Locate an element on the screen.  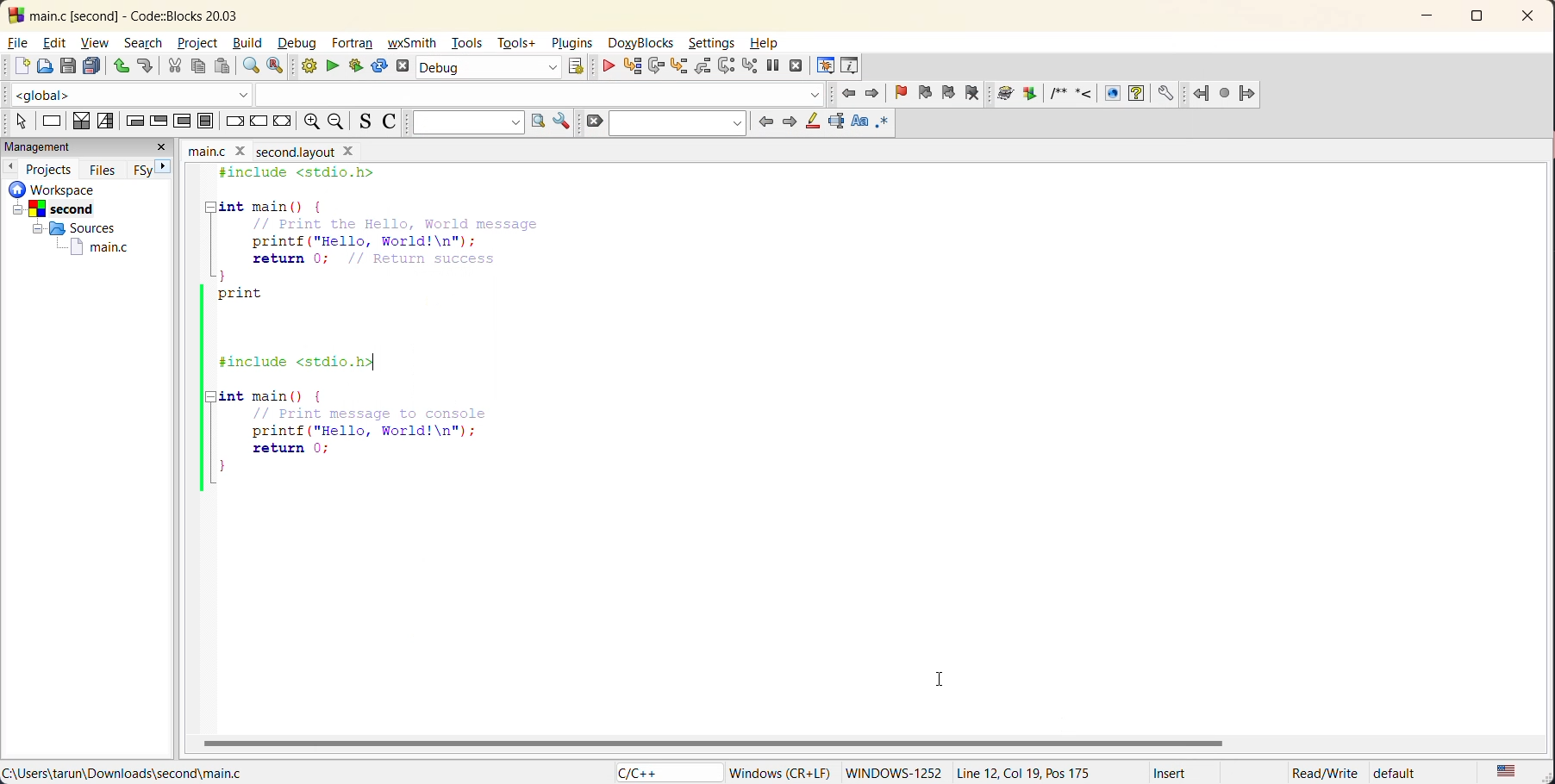
run is located at coordinates (330, 66).